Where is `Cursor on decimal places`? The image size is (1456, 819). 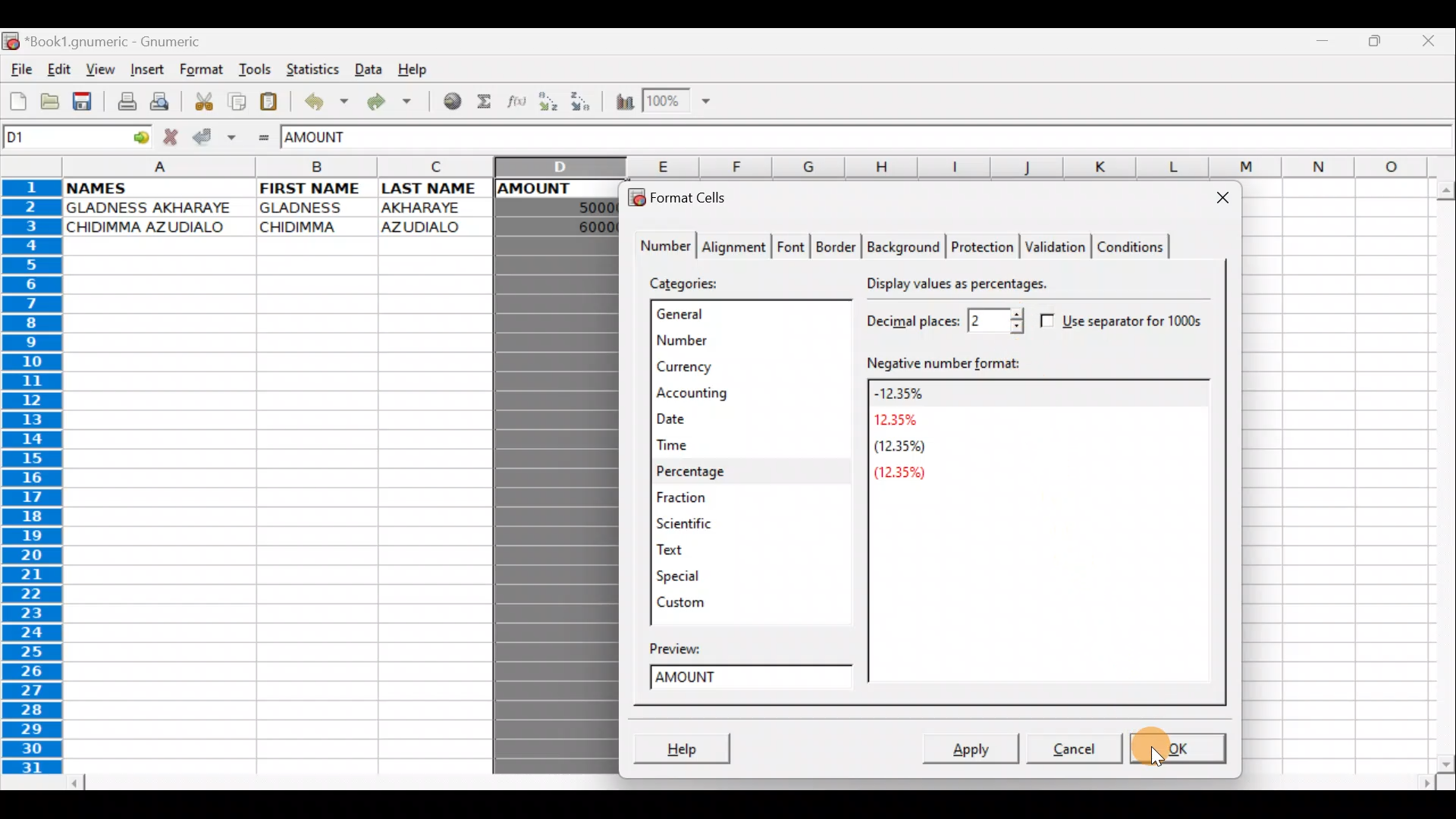 Cursor on decimal places is located at coordinates (1014, 323).